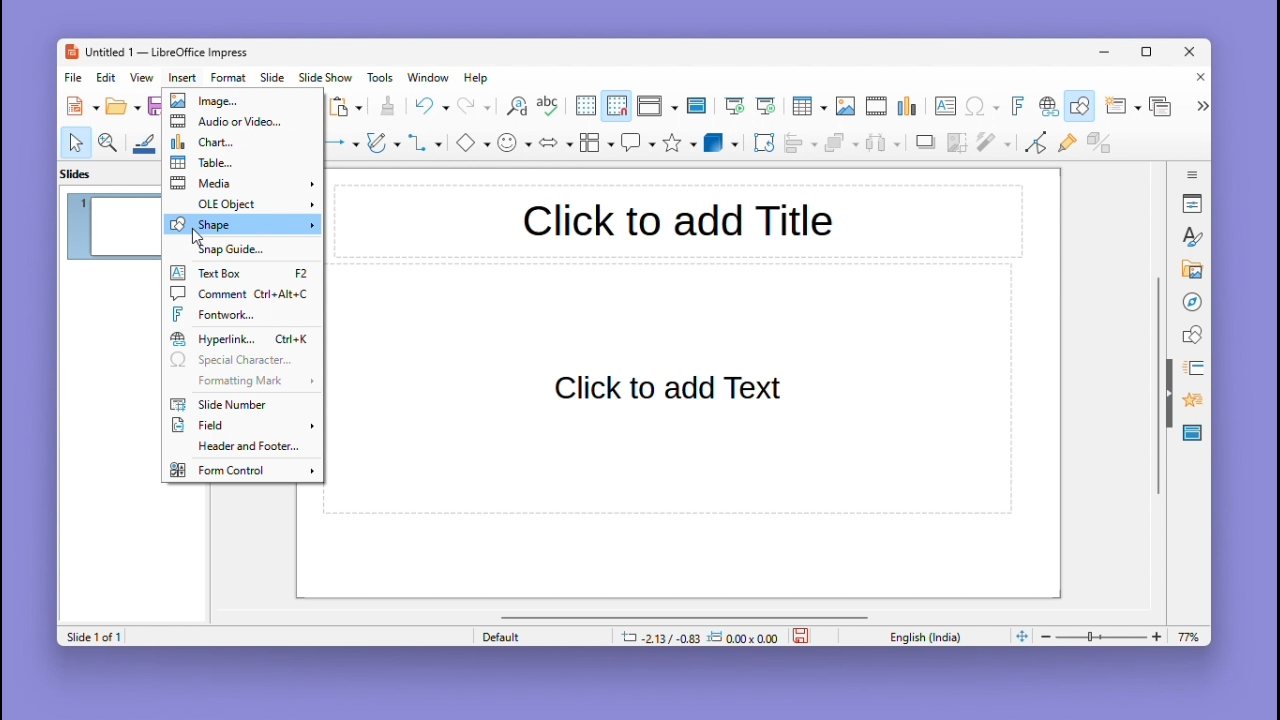 The image size is (1280, 720). What do you see at coordinates (243, 314) in the screenshot?
I see `font Work` at bounding box center [243, 314].